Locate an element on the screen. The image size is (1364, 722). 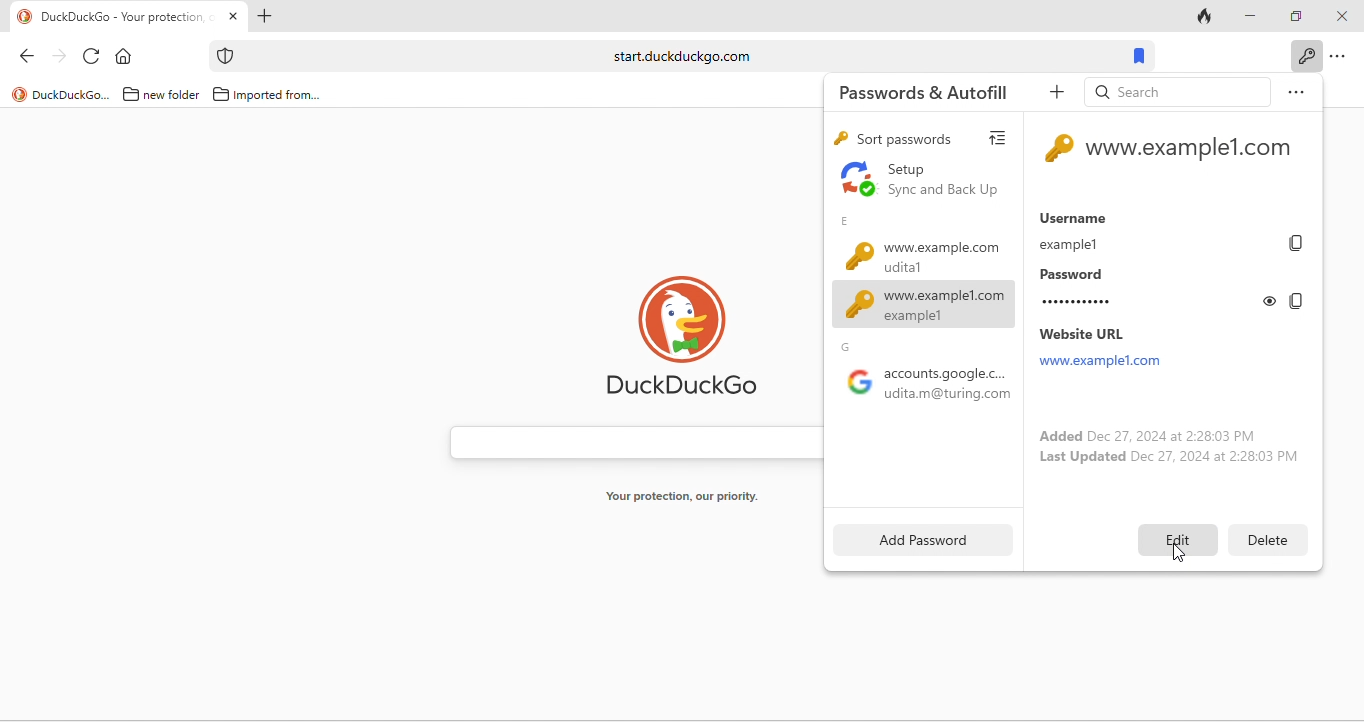
toggle show or hide password is located at coordinates (1271, 301).